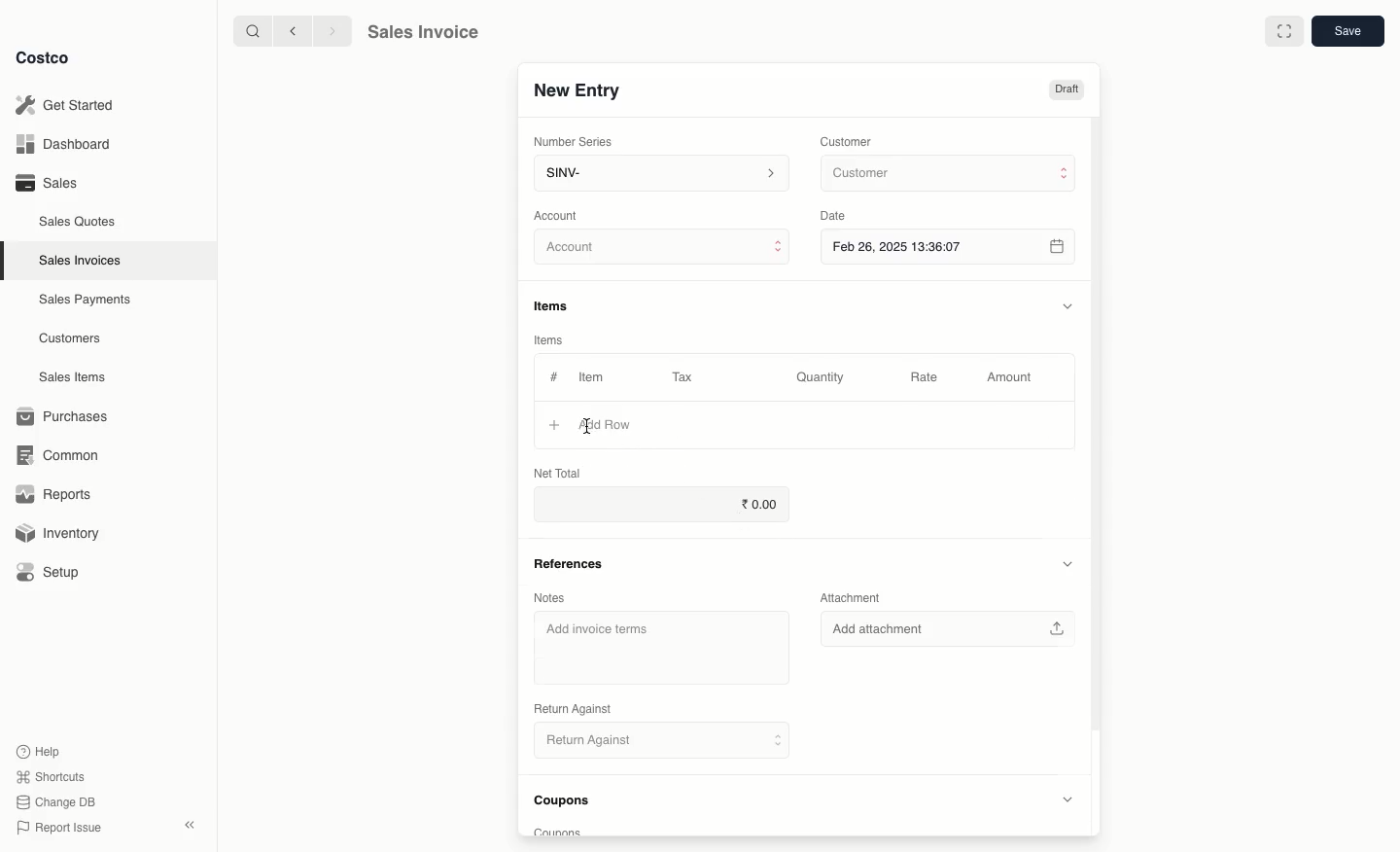  Describe the element at coordinates (587, 436) in the screenshot. I see `cursor` at that location.